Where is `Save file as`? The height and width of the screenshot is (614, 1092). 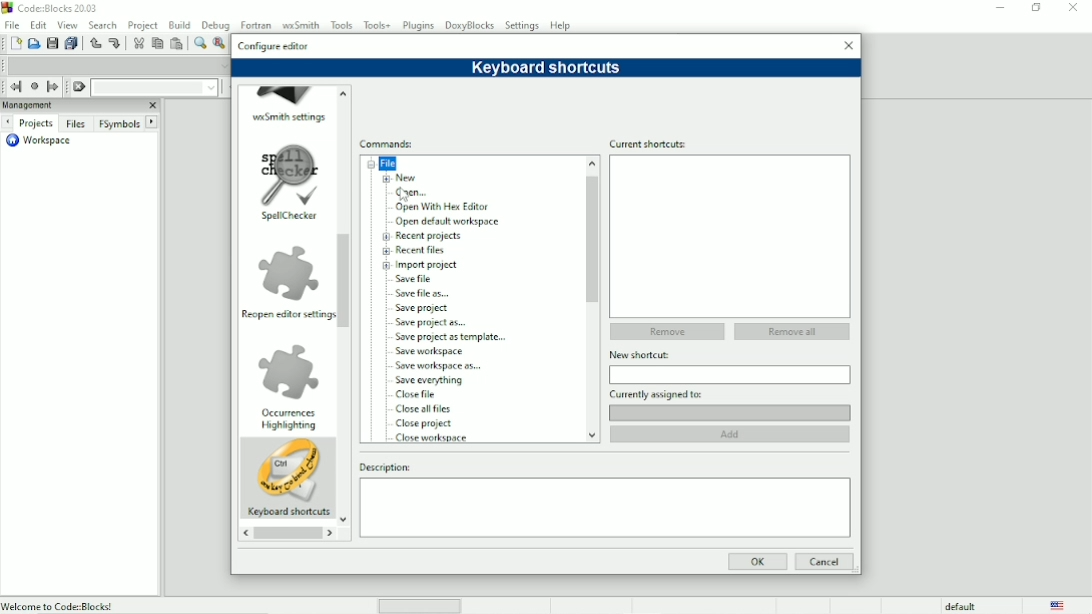
Save file as is located at coordinates (423, 293).